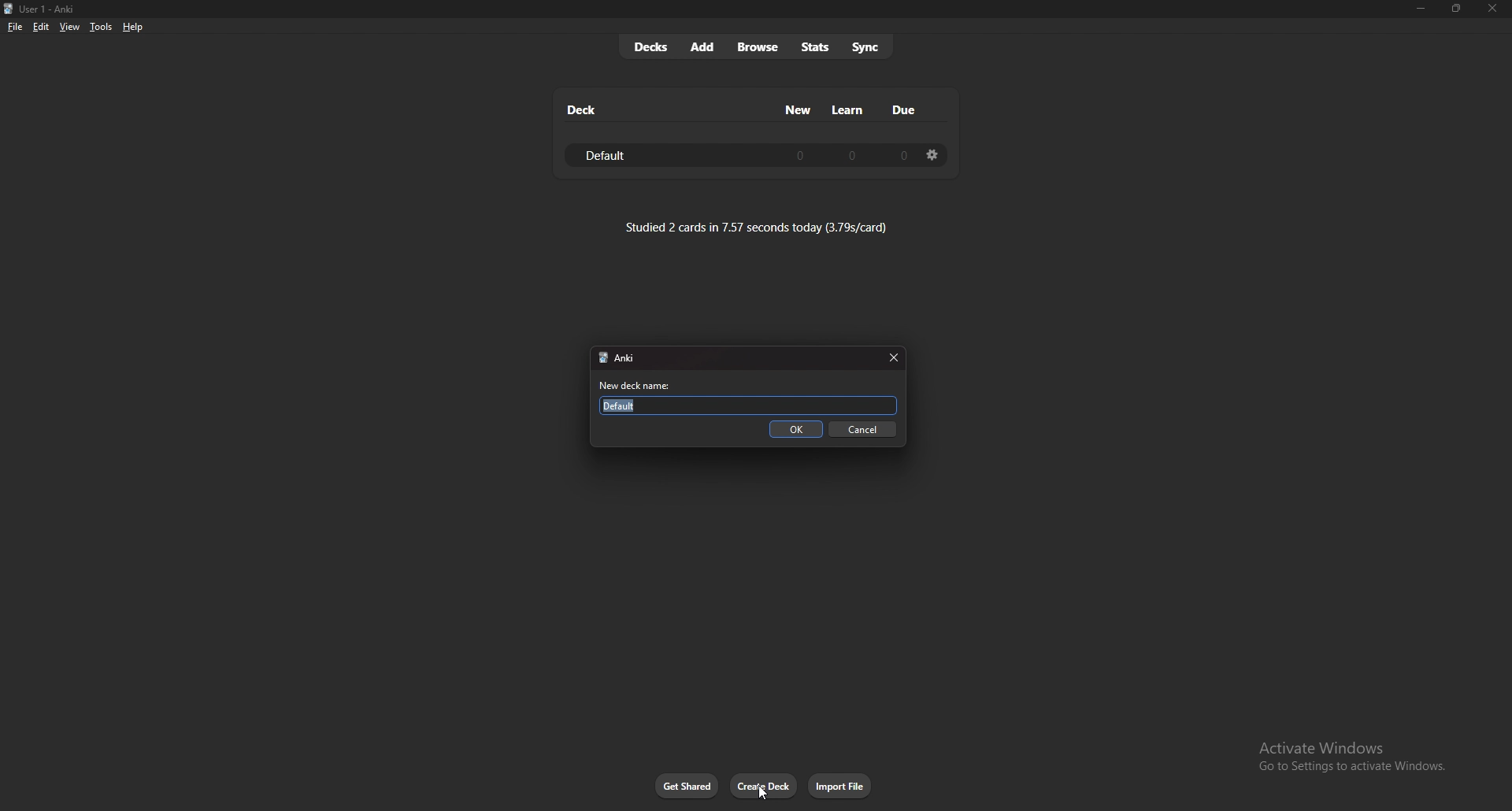 The height and width of the screenshot is (811, 1512). Describe the element at coordinates (52, 9) in the screenshot. I see `User 1 - Anki` at that location.